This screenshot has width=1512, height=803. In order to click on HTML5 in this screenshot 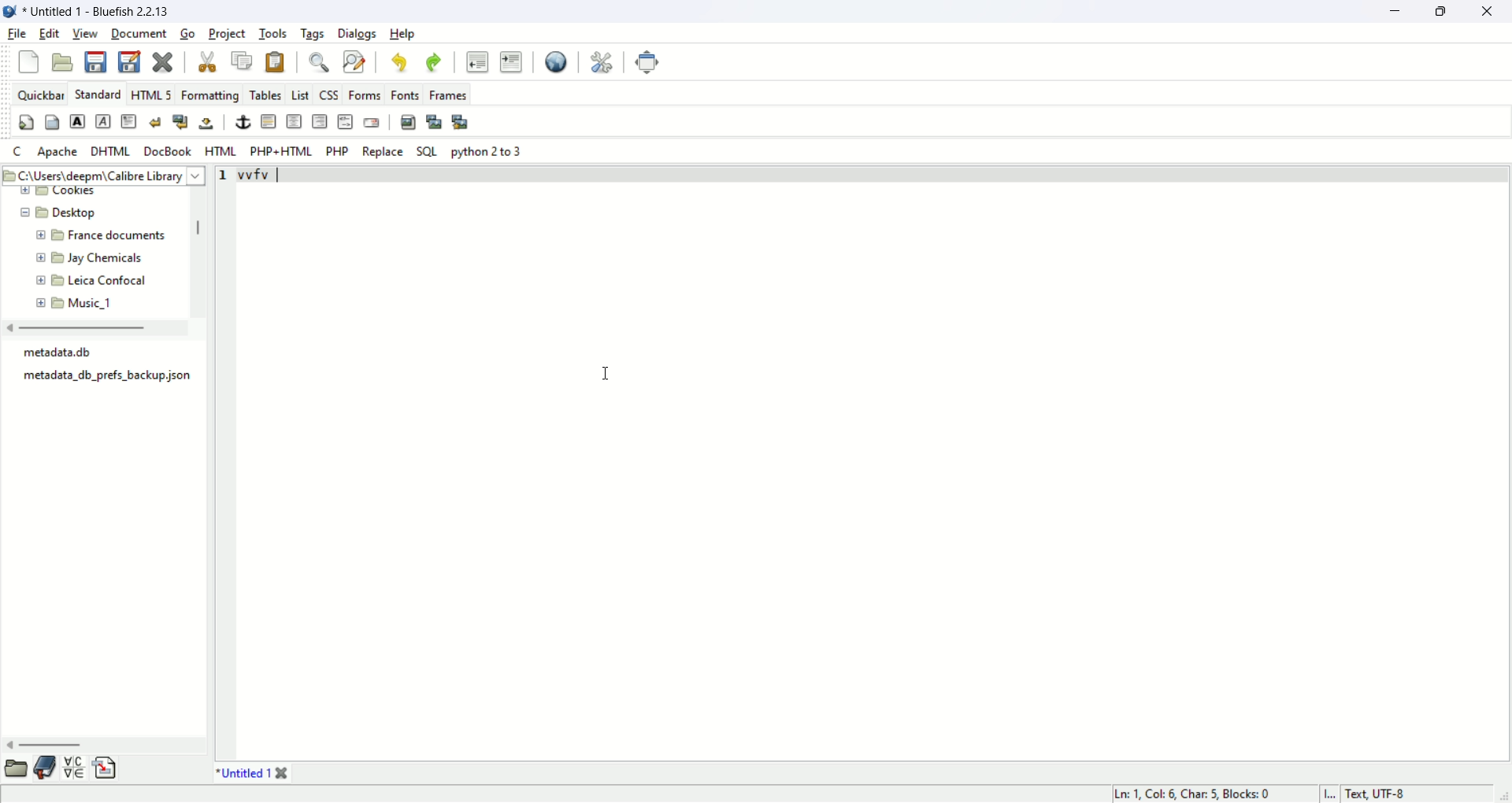, I will do `click(153, 94)`.